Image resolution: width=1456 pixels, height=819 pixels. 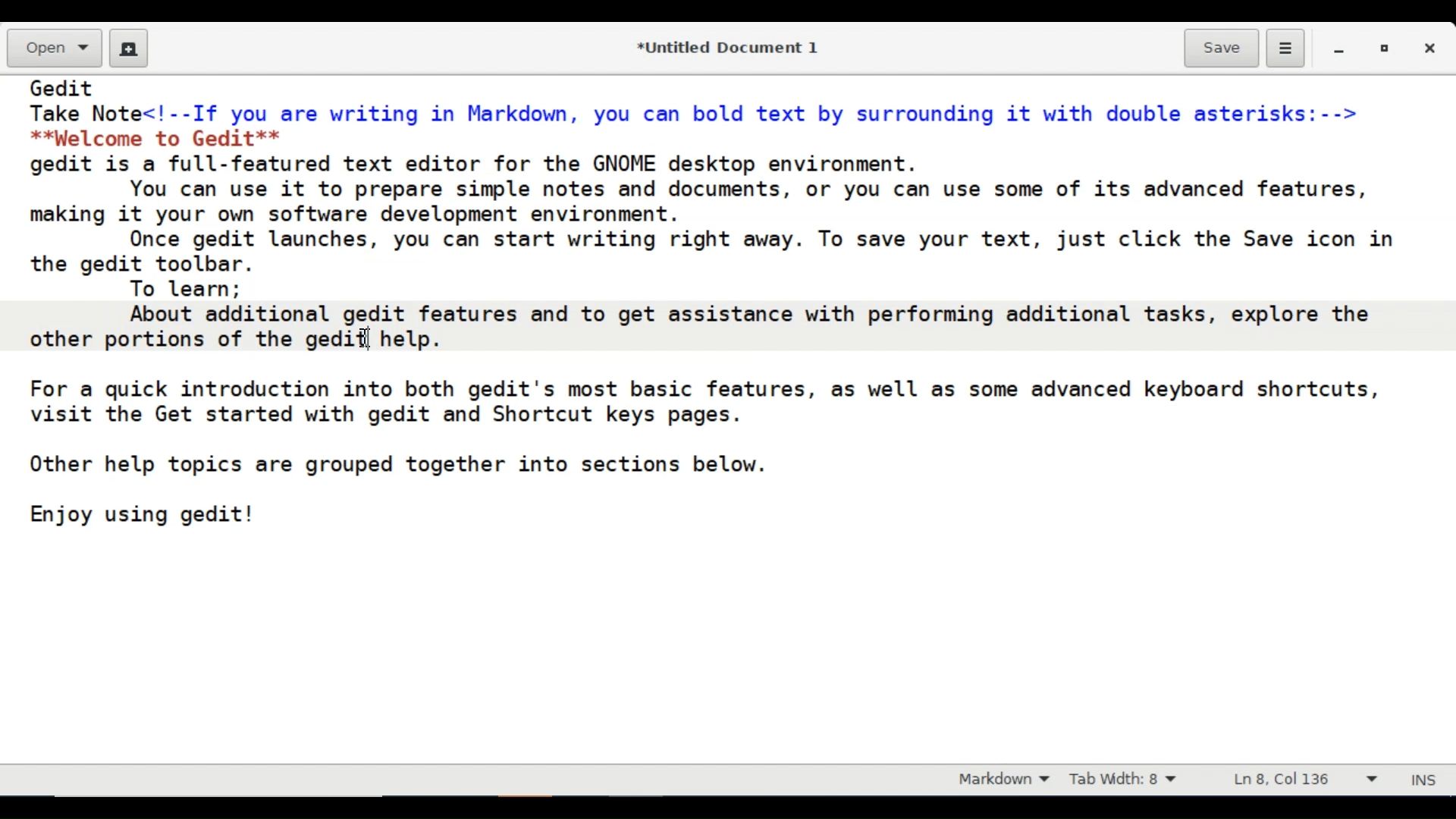 I want to click on Markdown, so click(x=999, y=780).